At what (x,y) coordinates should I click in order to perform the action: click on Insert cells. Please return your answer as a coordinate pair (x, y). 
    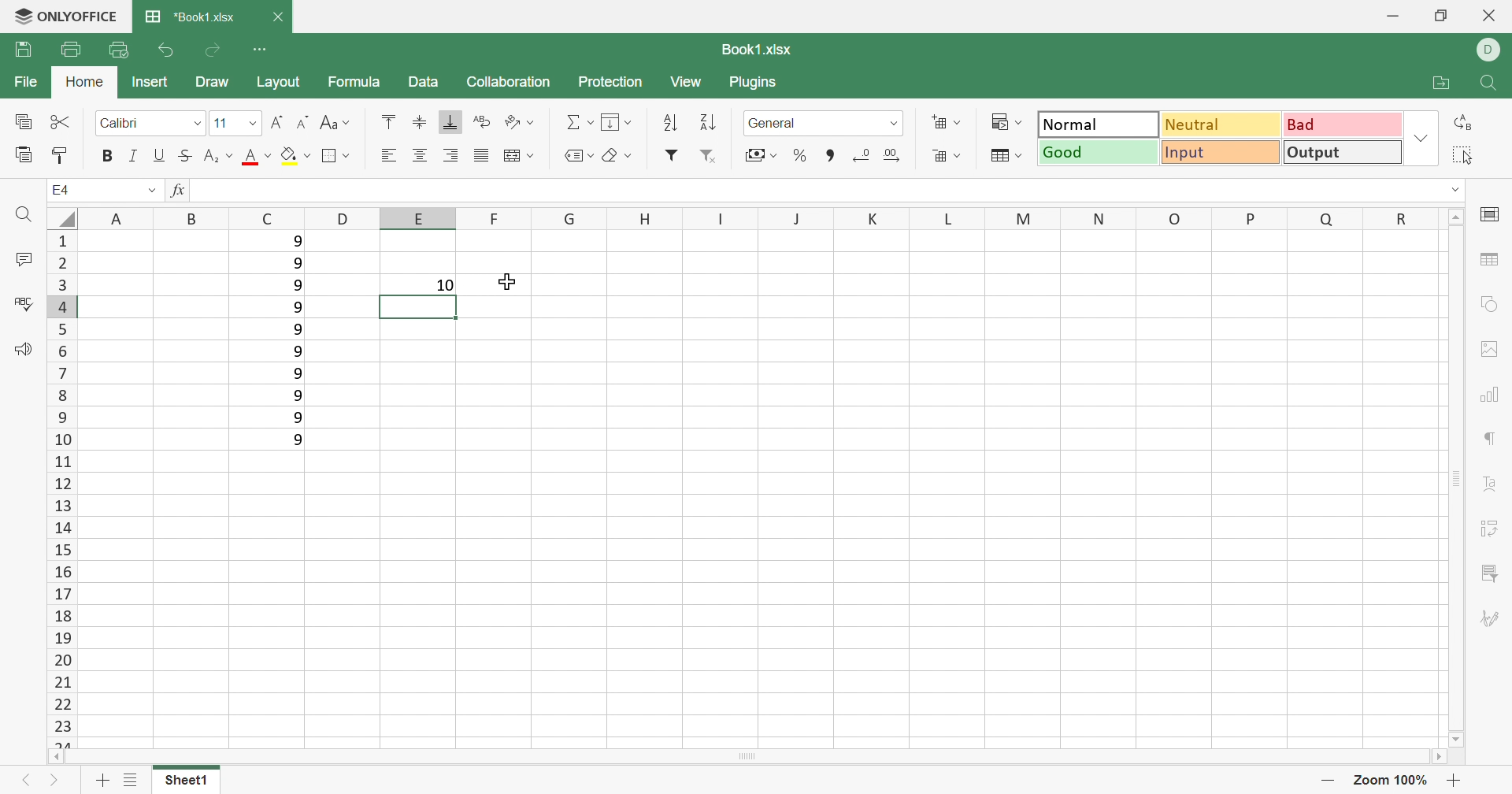
    Looking at the image, I should click on (947, 121).